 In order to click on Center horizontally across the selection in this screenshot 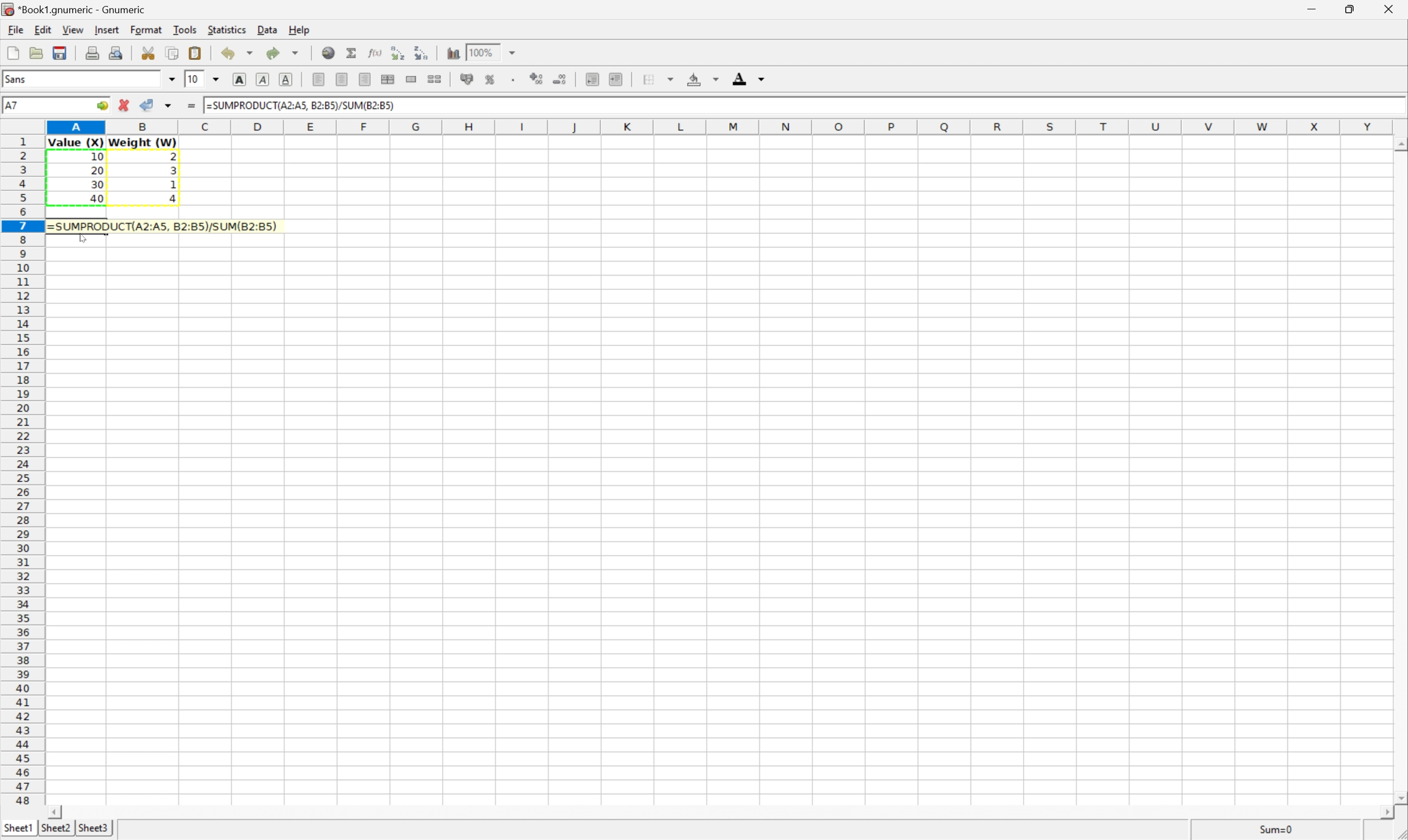, I will do `click(389, 78)`.